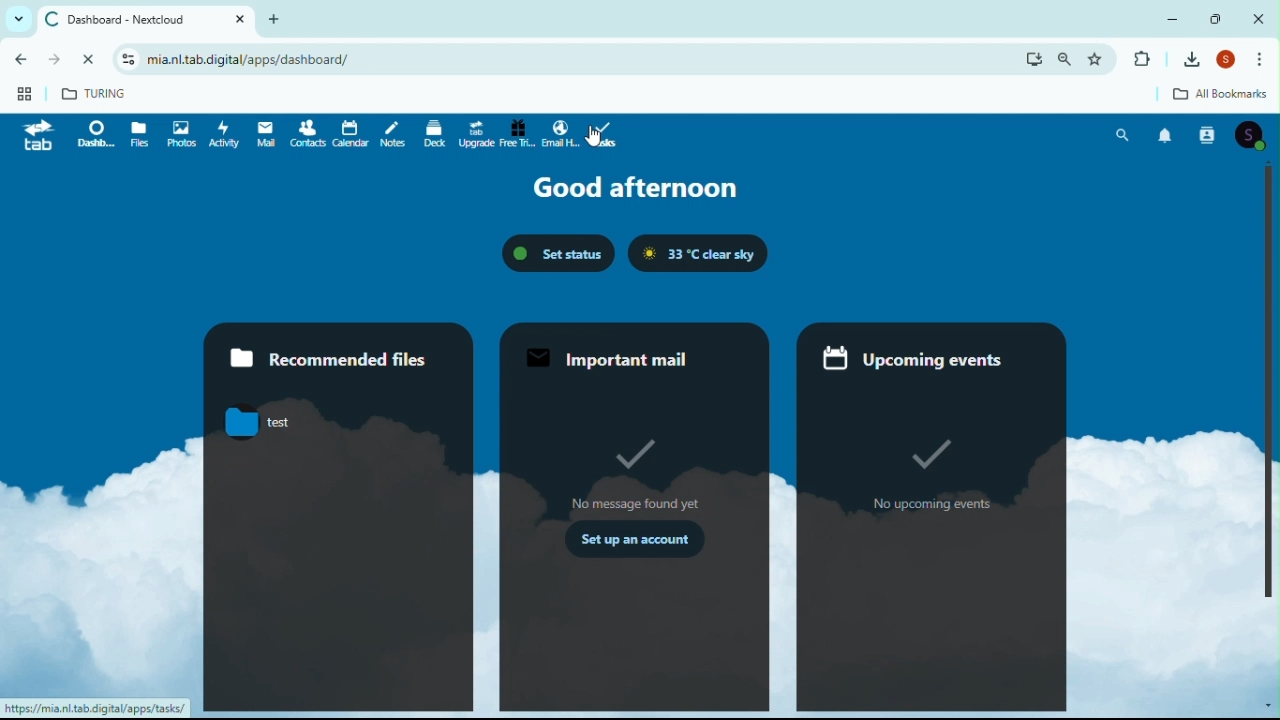 Image resolution: width=1280 pixels, height=720 pixels. Describe the element at coordinates (635, 540) in the screenshot. I see `set up an account` at that location.